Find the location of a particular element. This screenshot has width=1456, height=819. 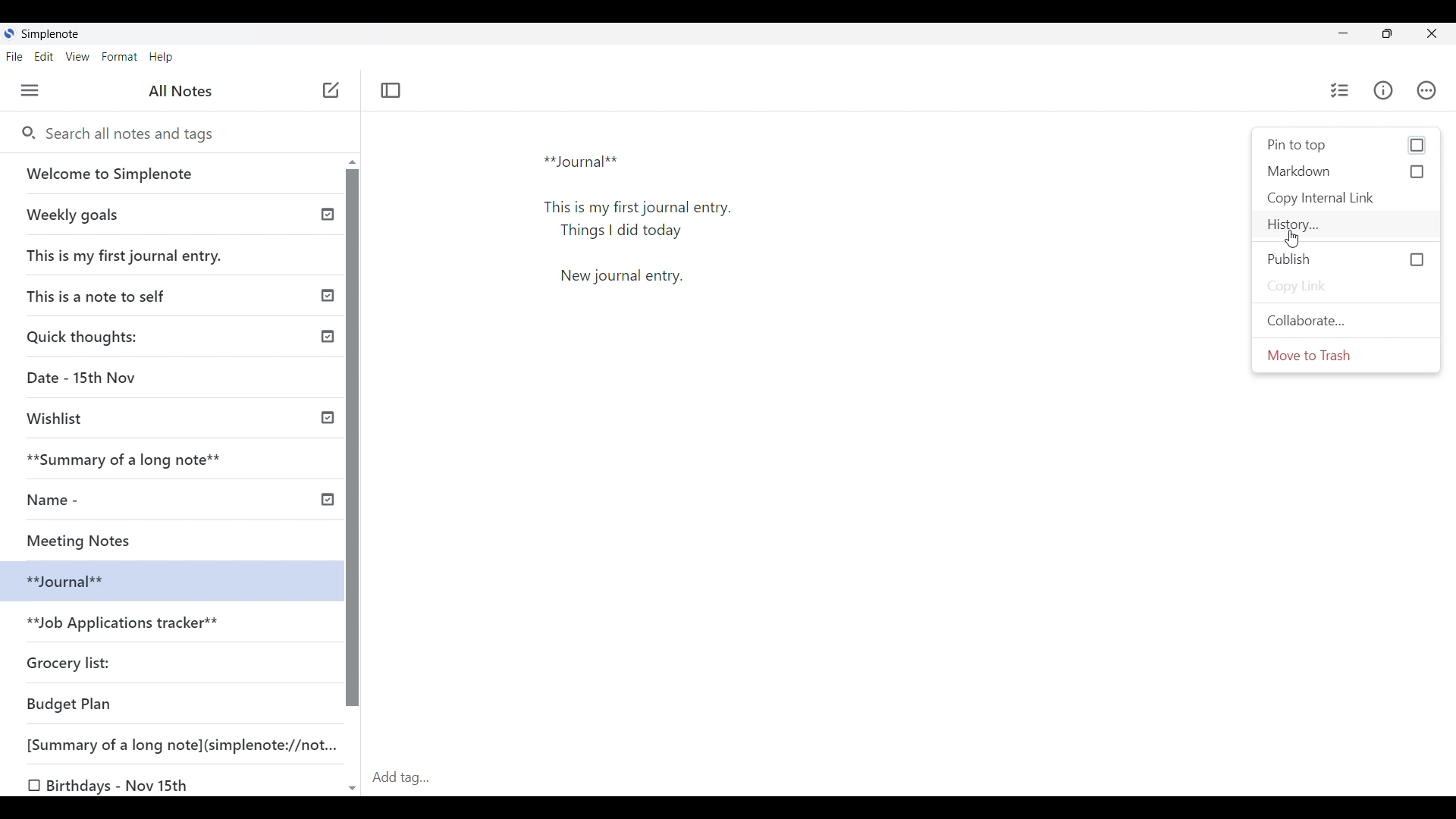

Search all notes and tags is located at coordinates (189, 134).